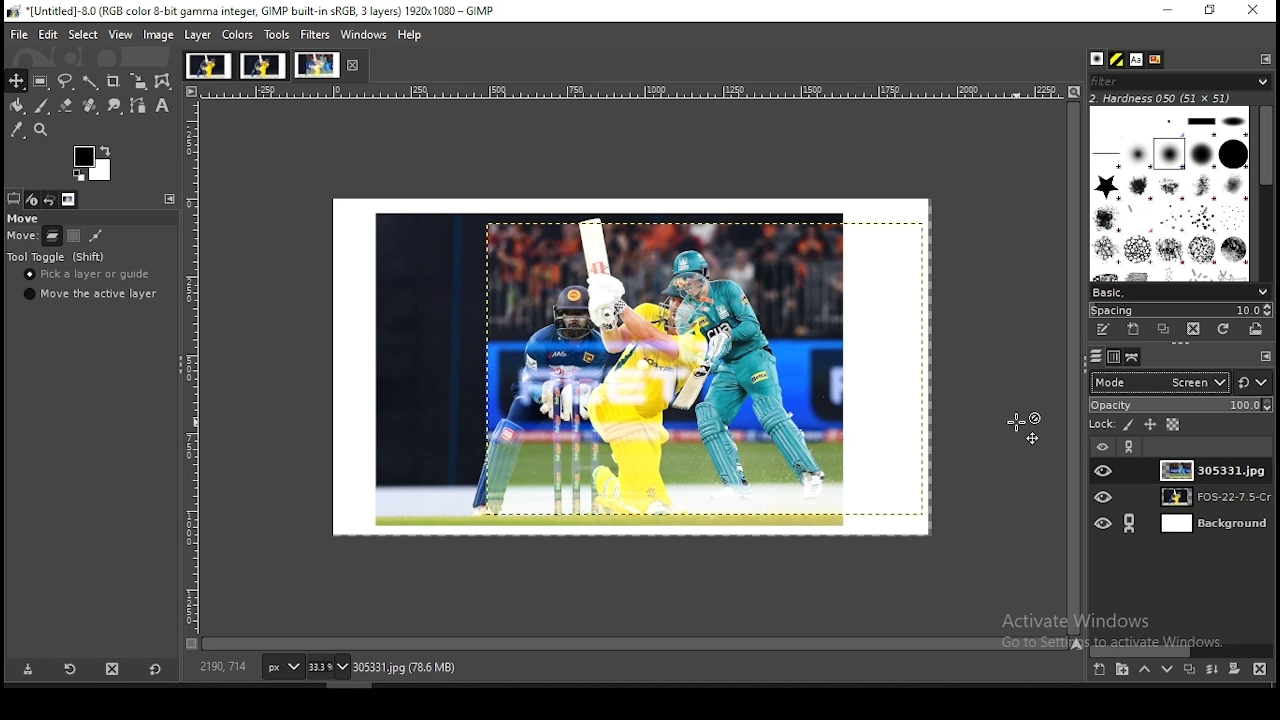 Image resolution: width=1280 pixels, height=720 pixels. Describe the element at coordinates (1112, 359) in the screenshot. I see `channels` at that location.